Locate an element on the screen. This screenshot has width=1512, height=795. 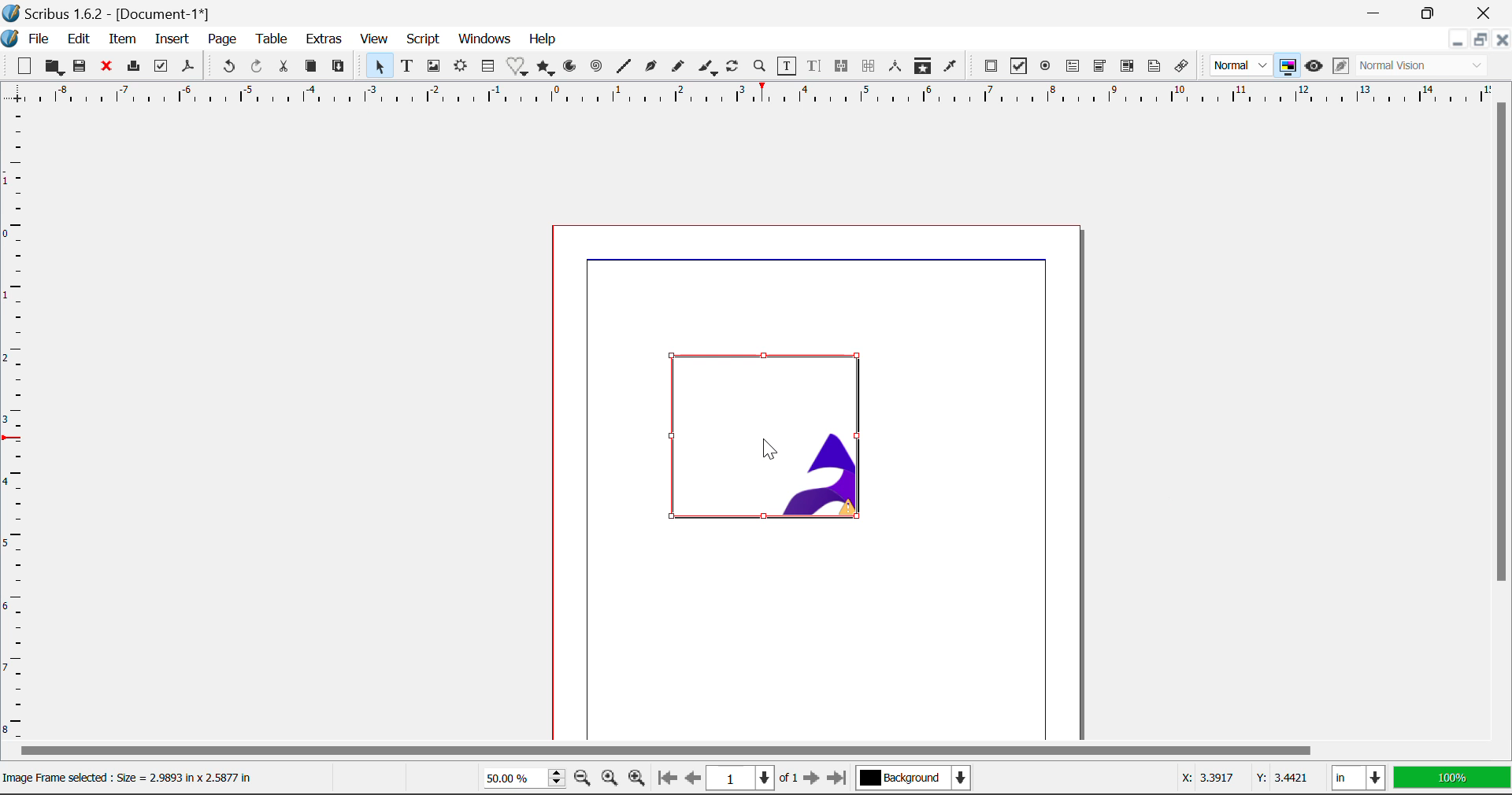
Edit Text With Story Editor is located at coordinates (816, 67).